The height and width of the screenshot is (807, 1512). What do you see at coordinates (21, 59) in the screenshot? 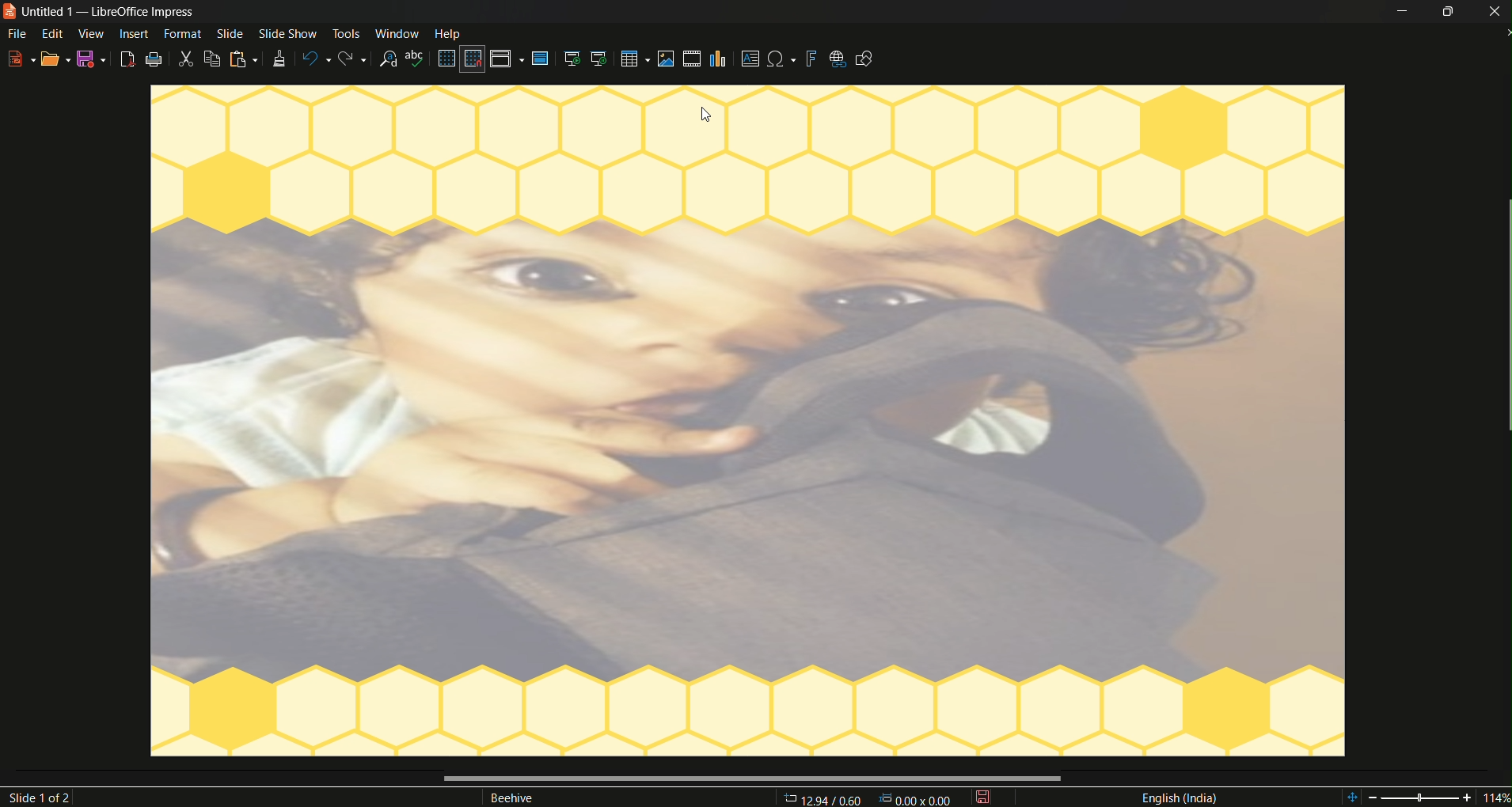
I see `new file` at bounding box center [21, 59].